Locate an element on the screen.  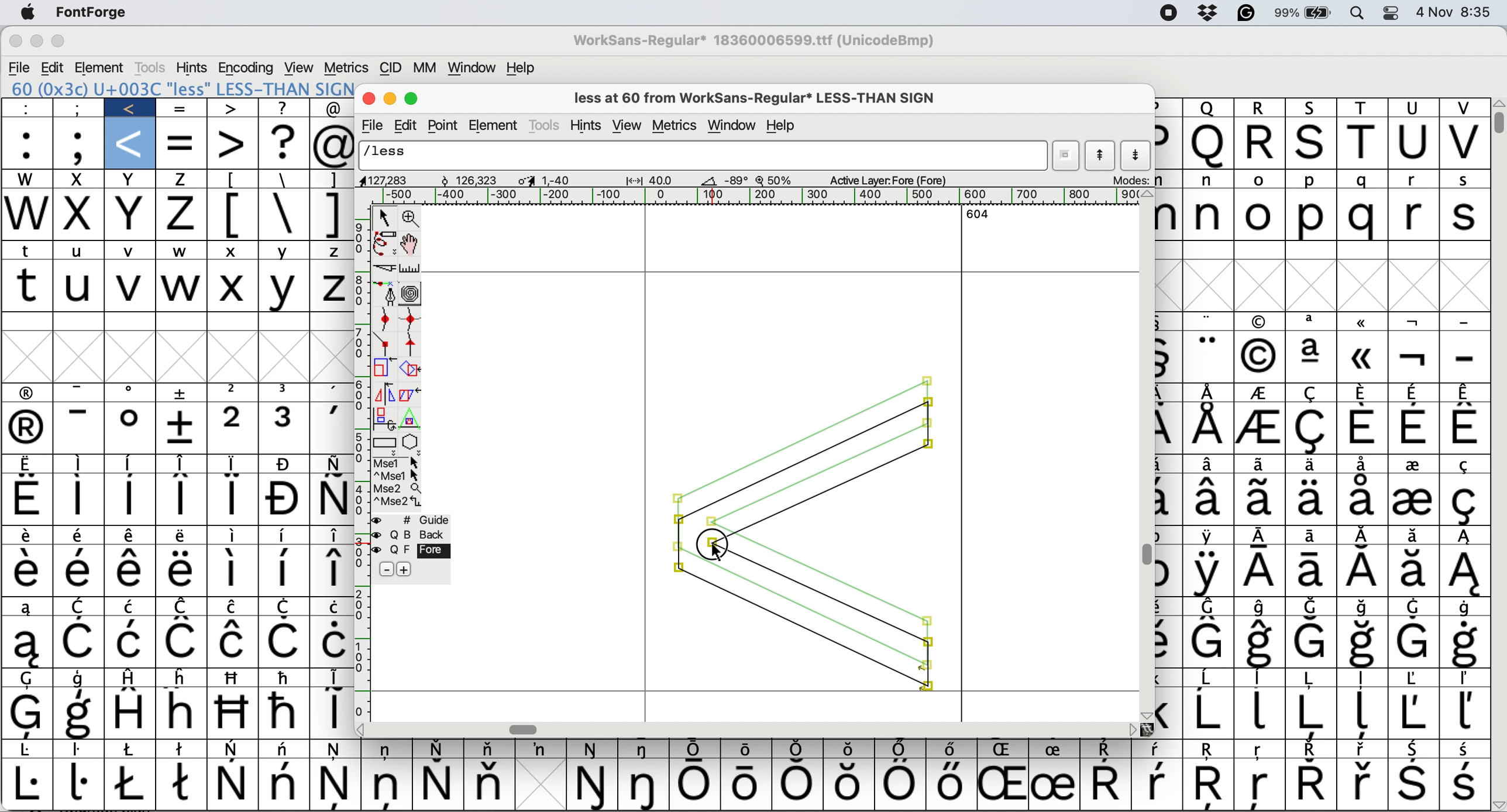
@ is located at coordinates (335, 108).